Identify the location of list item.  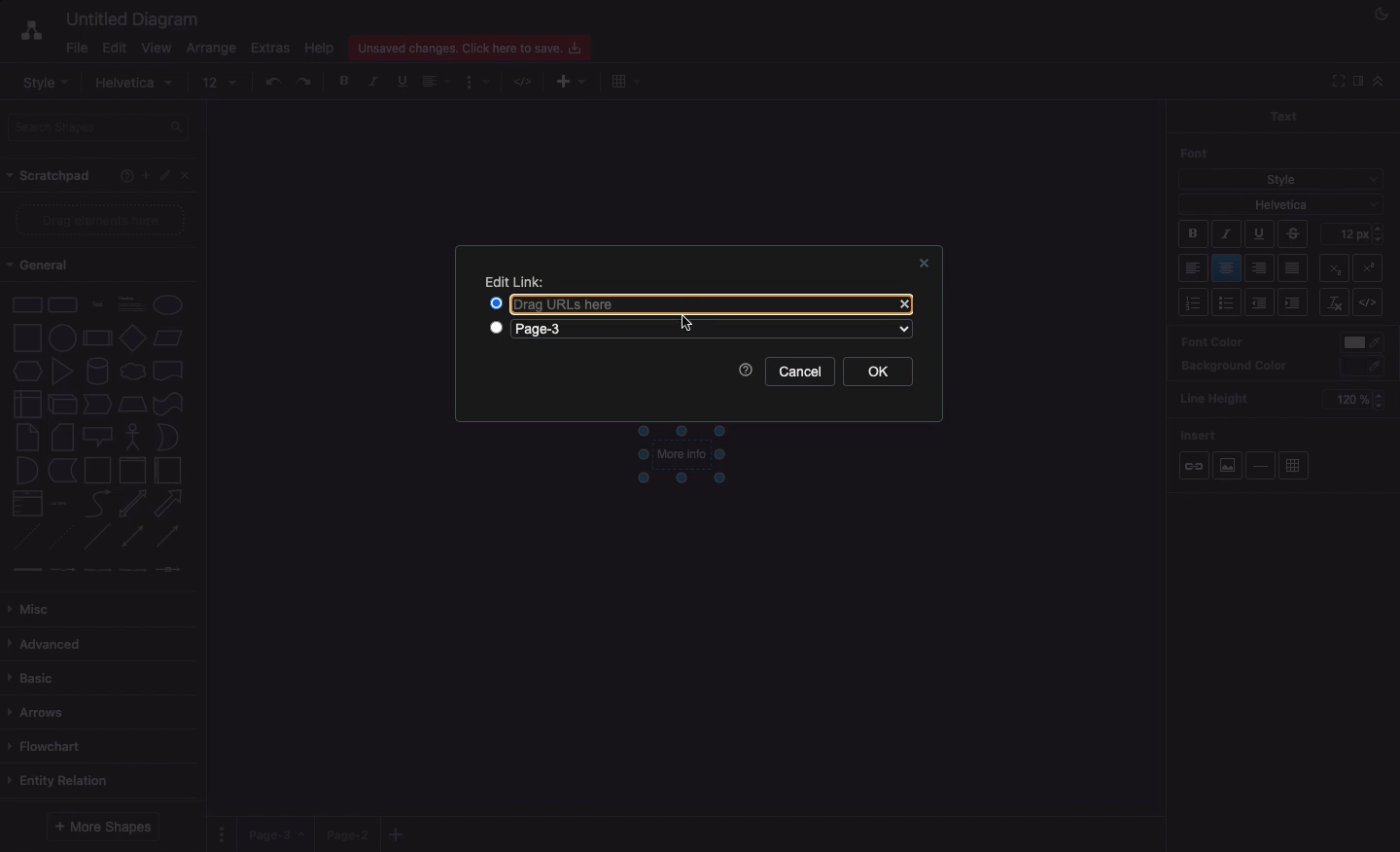
(59, 504).